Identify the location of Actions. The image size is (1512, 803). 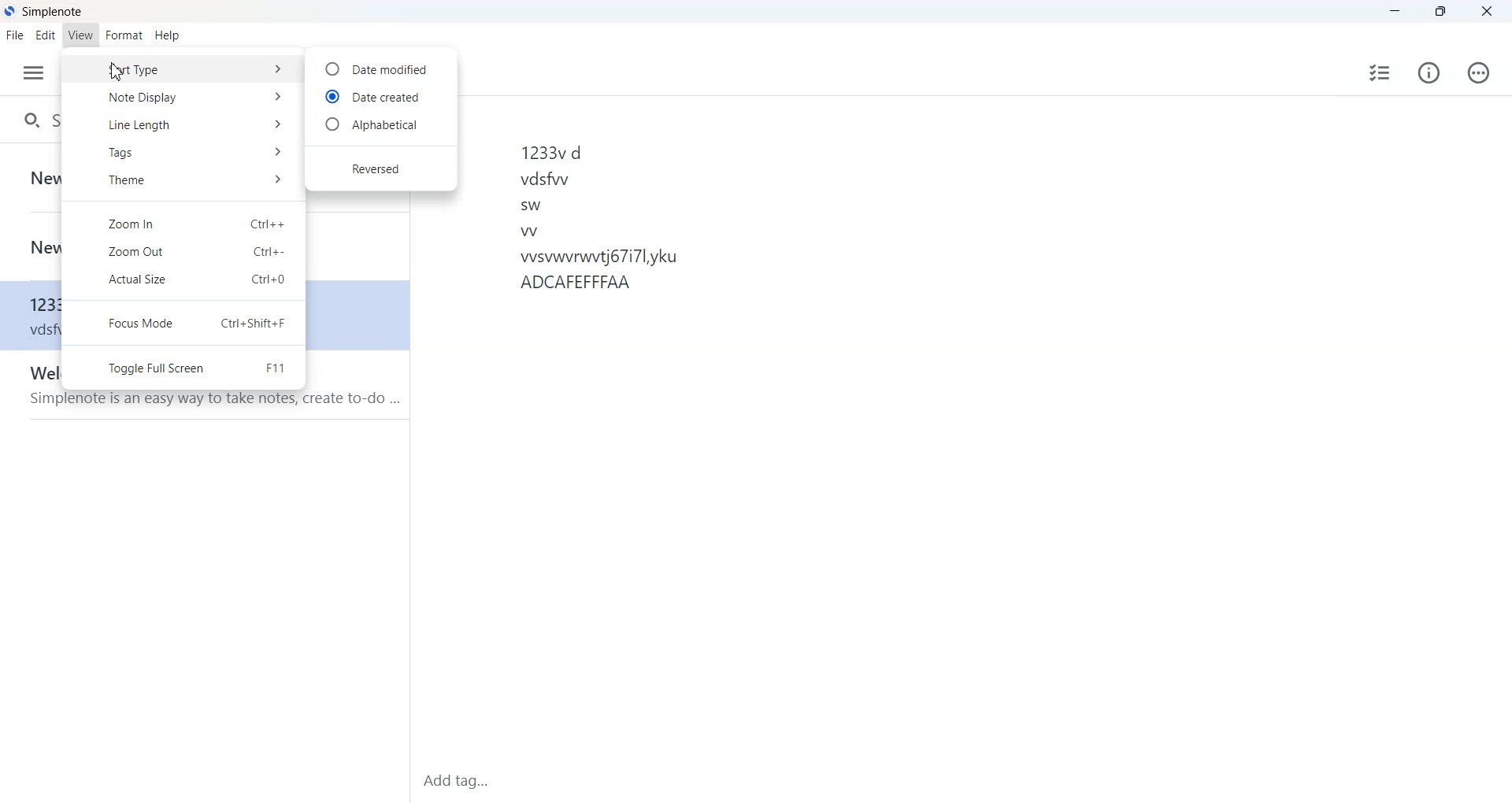
(1477, 72).